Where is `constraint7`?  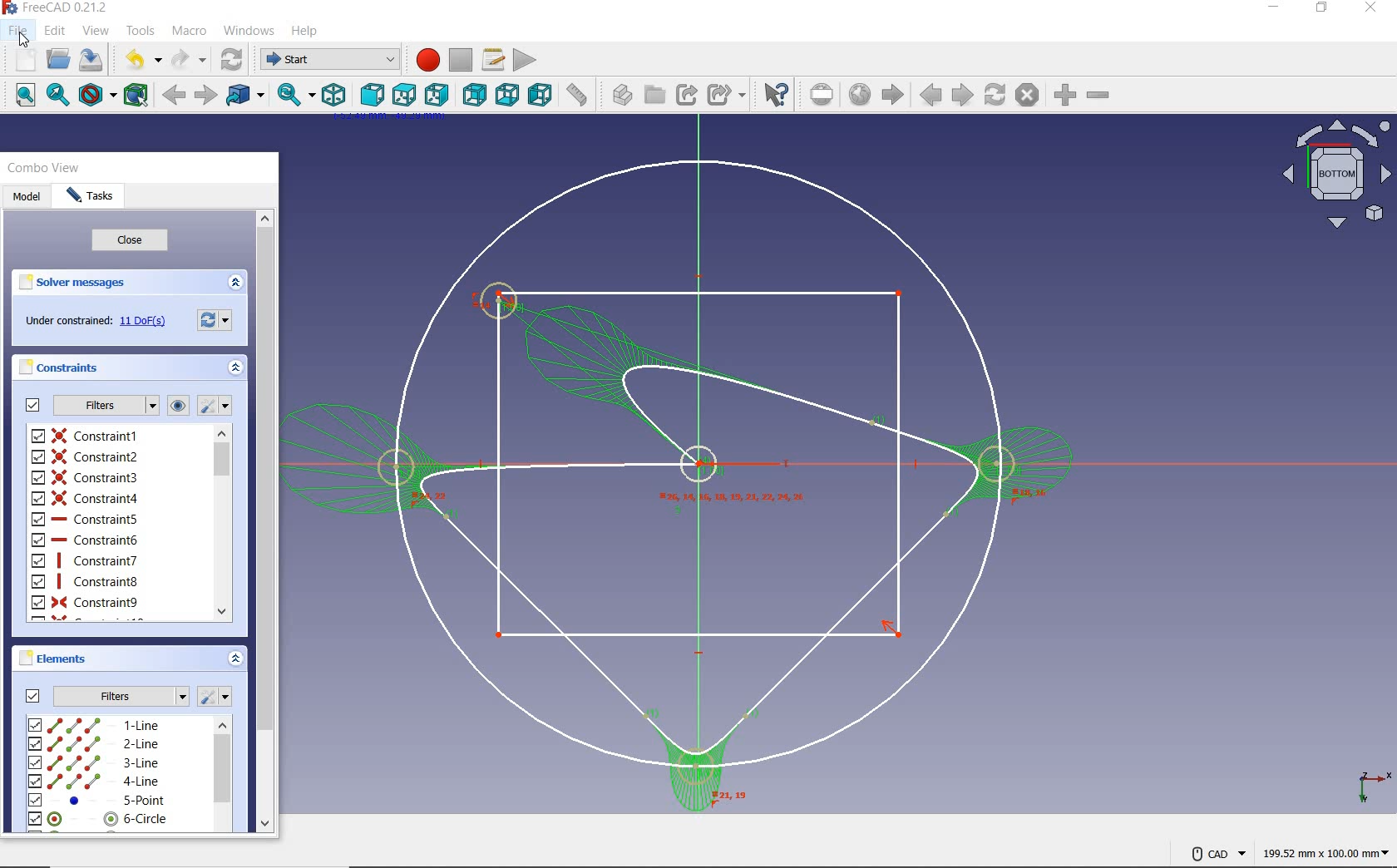
constraint7 is located at coordinates (84, 560).